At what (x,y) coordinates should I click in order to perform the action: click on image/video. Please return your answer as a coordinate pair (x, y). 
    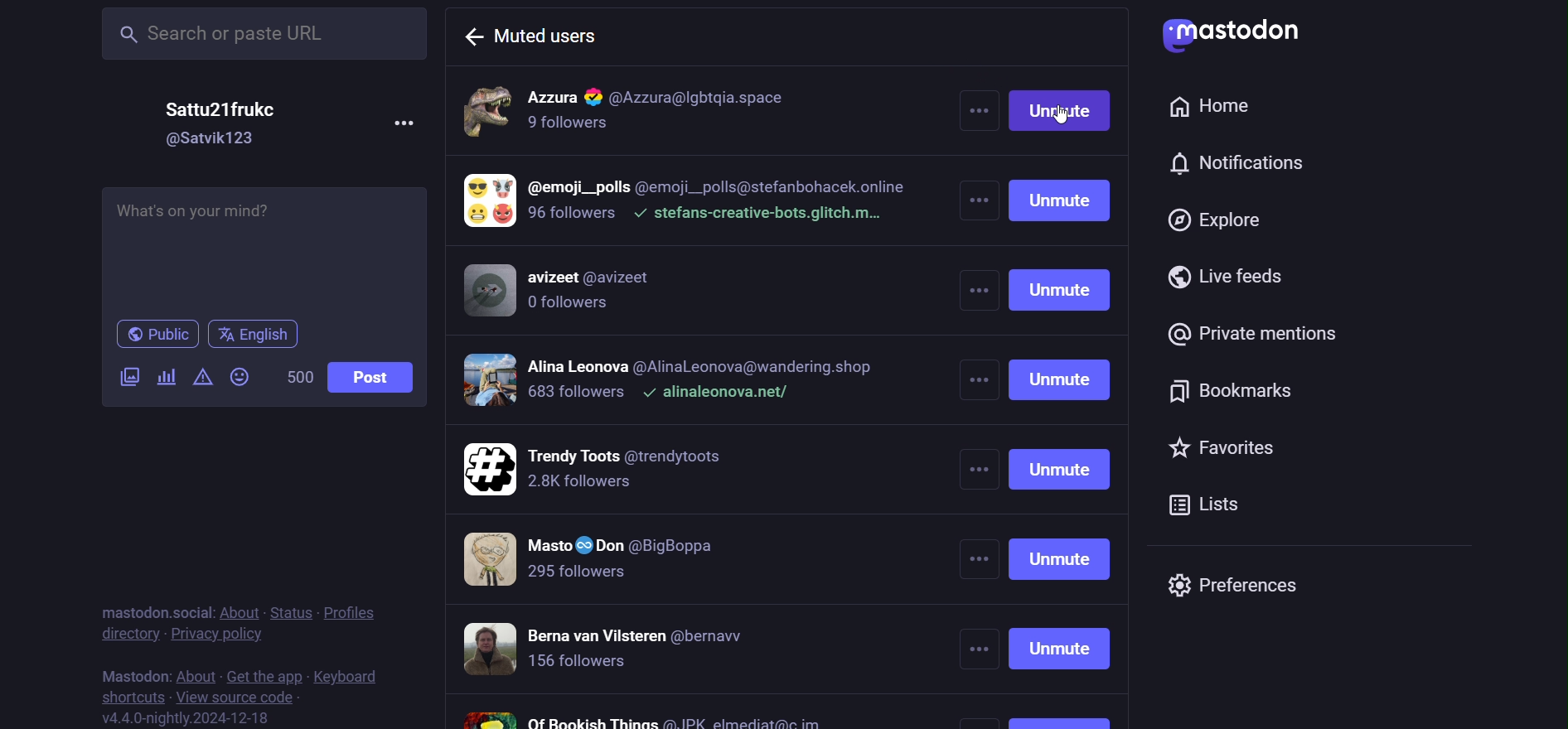
    Looking at the image, I should click on (129, 376).